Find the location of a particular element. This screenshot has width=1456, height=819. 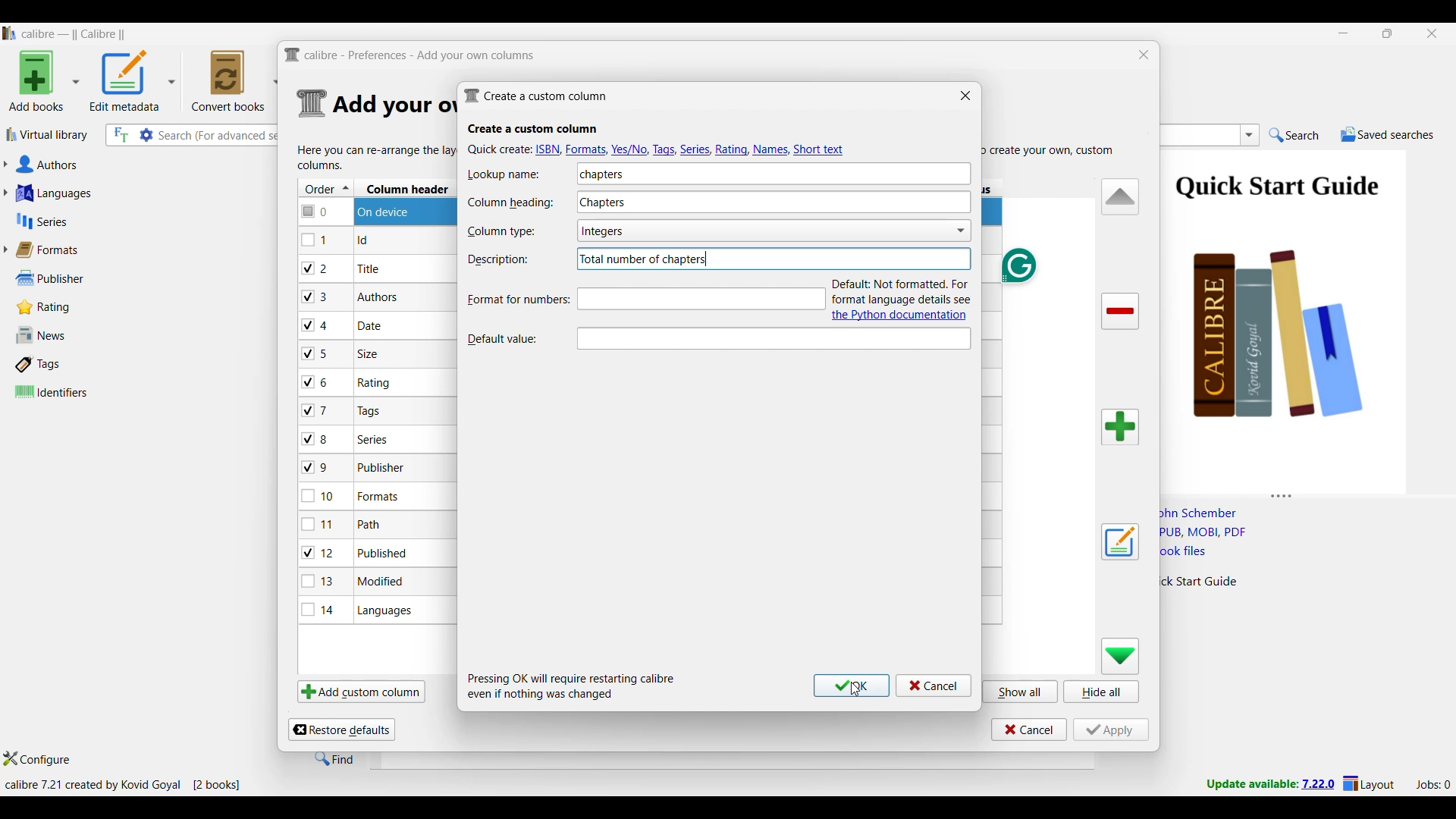

checkbox - 8 is located at coordinates (316, 438).